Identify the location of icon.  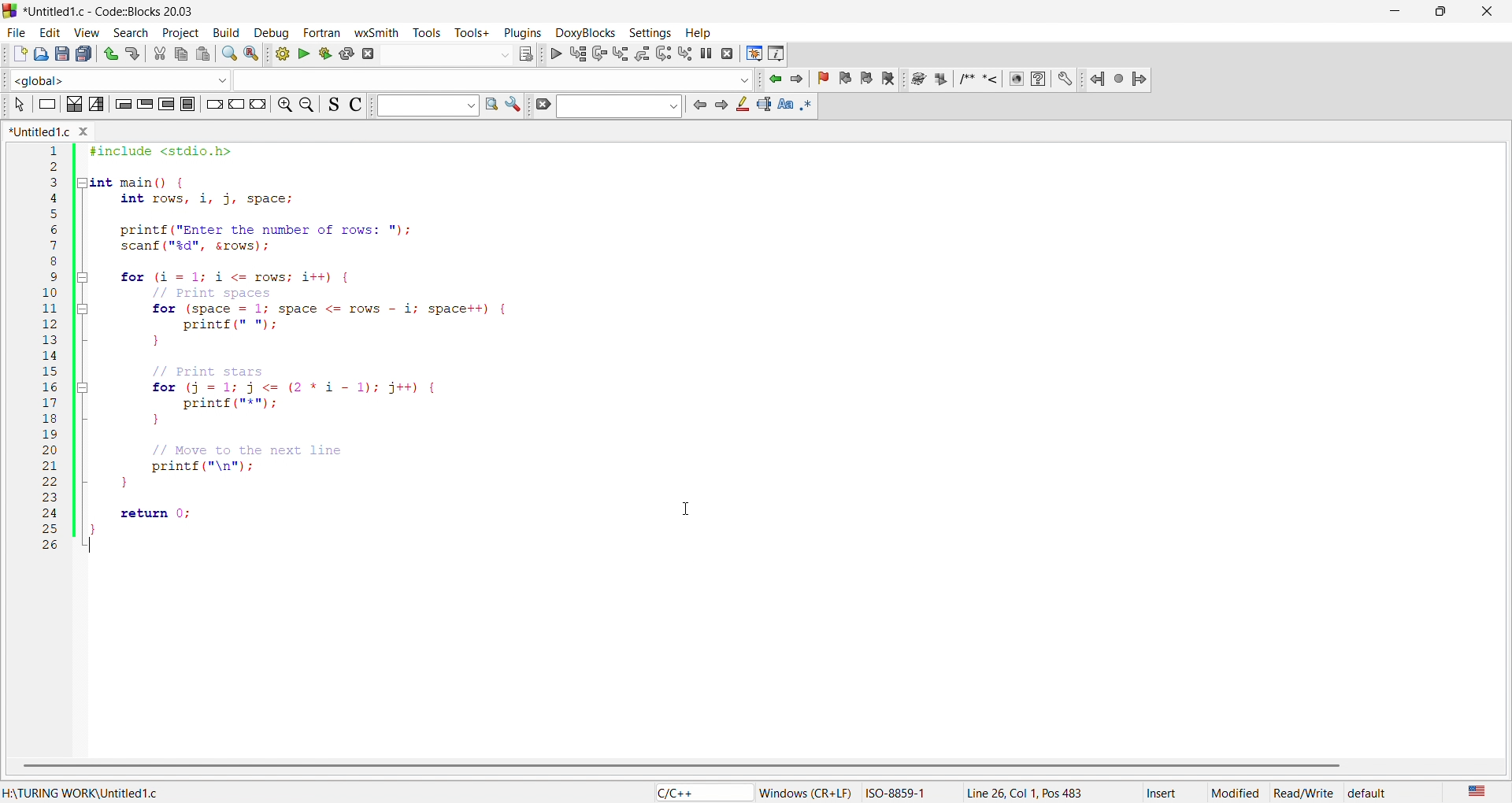
(45, 105).